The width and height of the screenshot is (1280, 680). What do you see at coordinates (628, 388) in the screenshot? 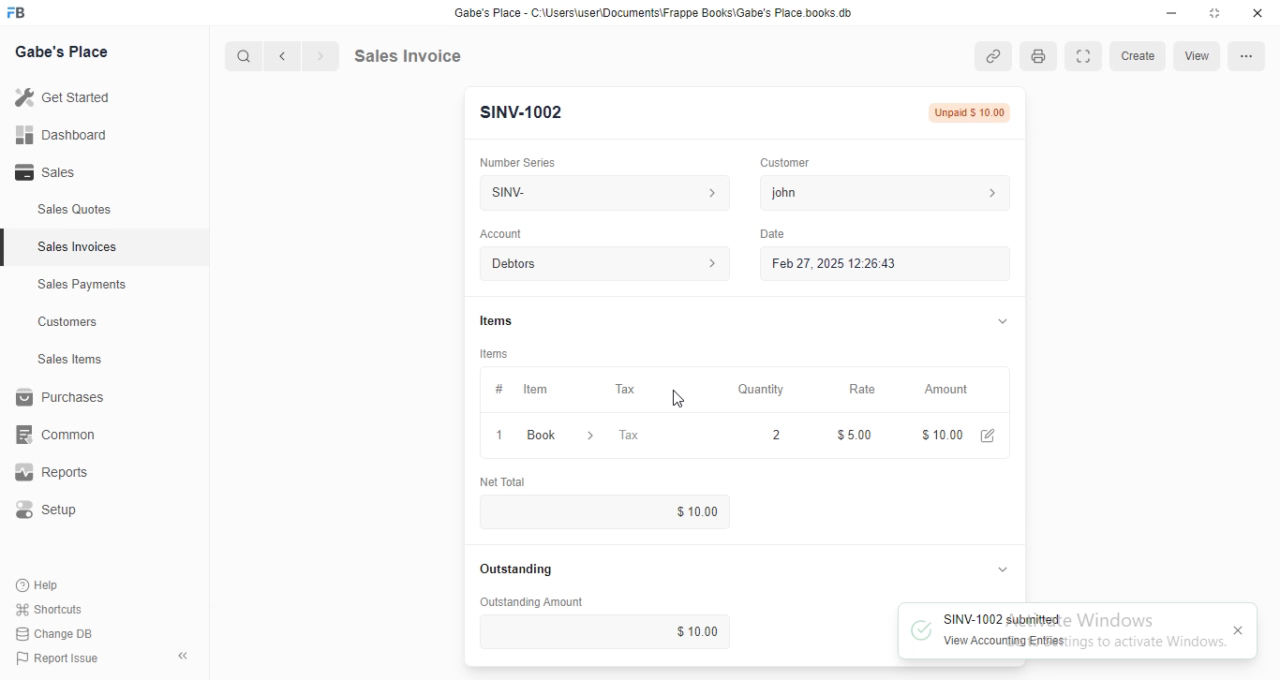
I see `Tax` at bounding box center [628, 388].